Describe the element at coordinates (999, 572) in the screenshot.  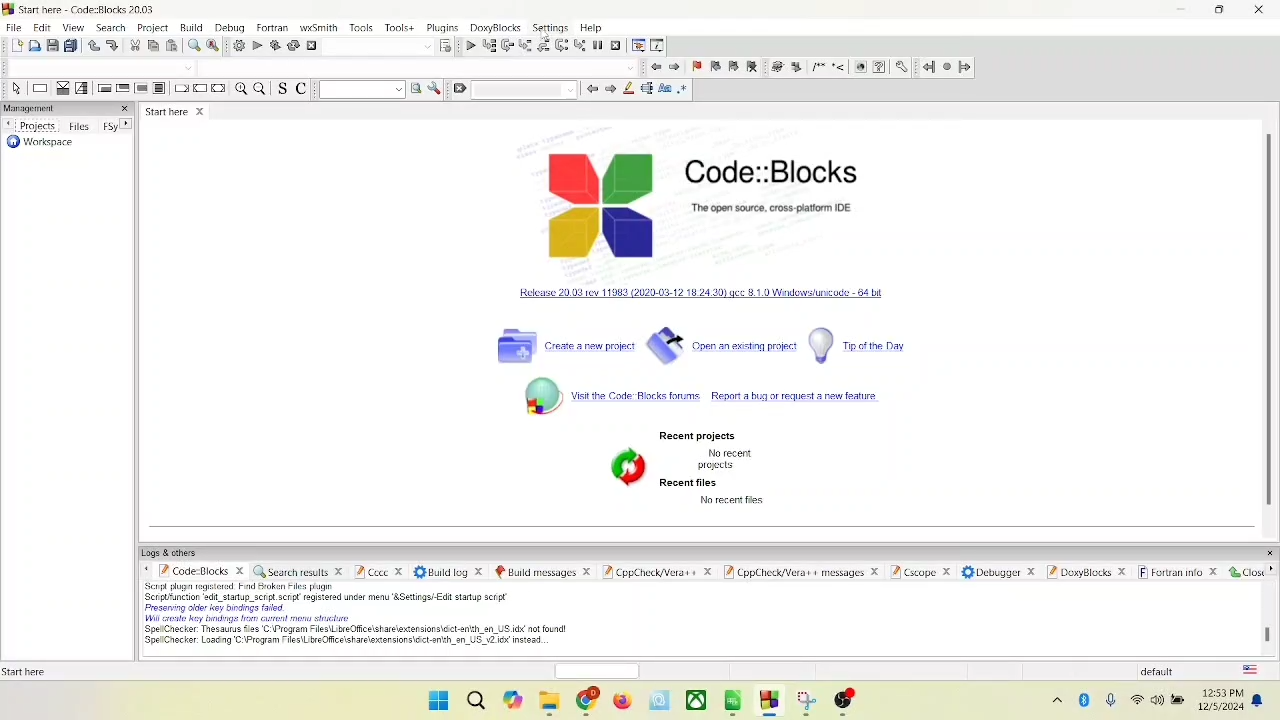
I see `debugger` at that location.